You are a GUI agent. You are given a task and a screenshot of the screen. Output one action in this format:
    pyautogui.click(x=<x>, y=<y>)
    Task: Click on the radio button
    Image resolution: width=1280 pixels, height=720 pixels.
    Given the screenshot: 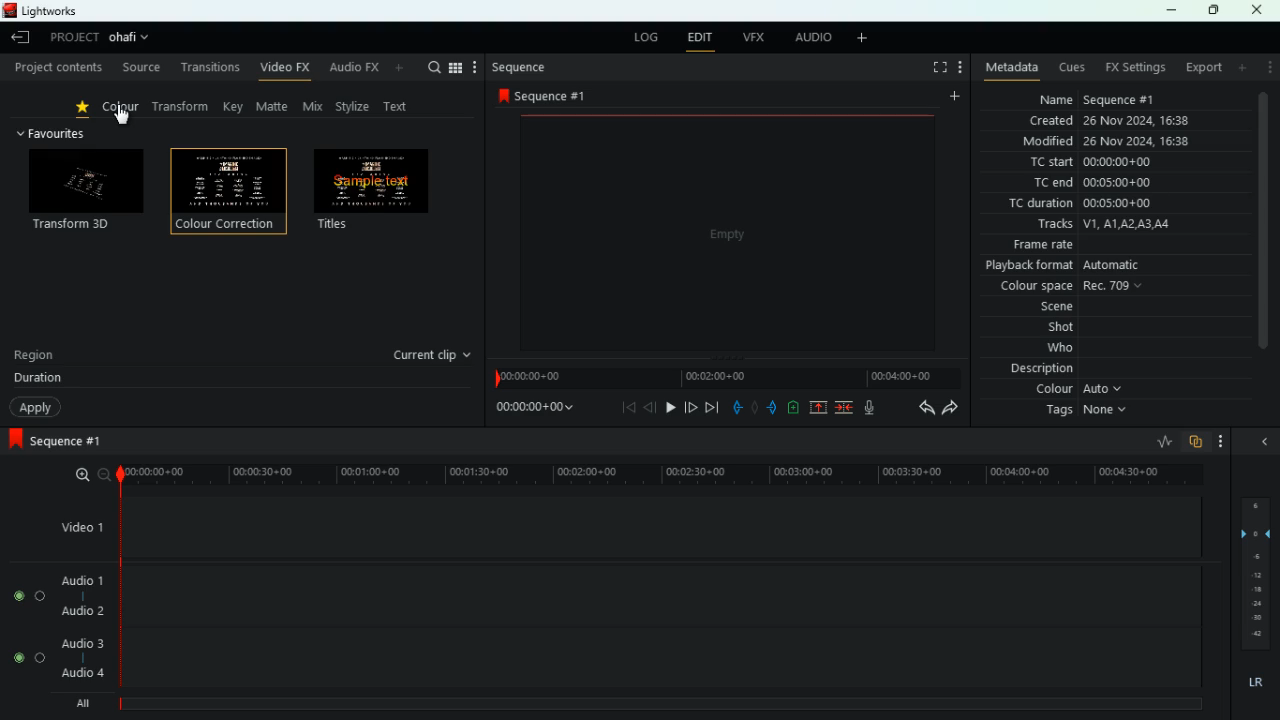 What is the action you would take?
    pyautogui.click(x=27, y=627)
    